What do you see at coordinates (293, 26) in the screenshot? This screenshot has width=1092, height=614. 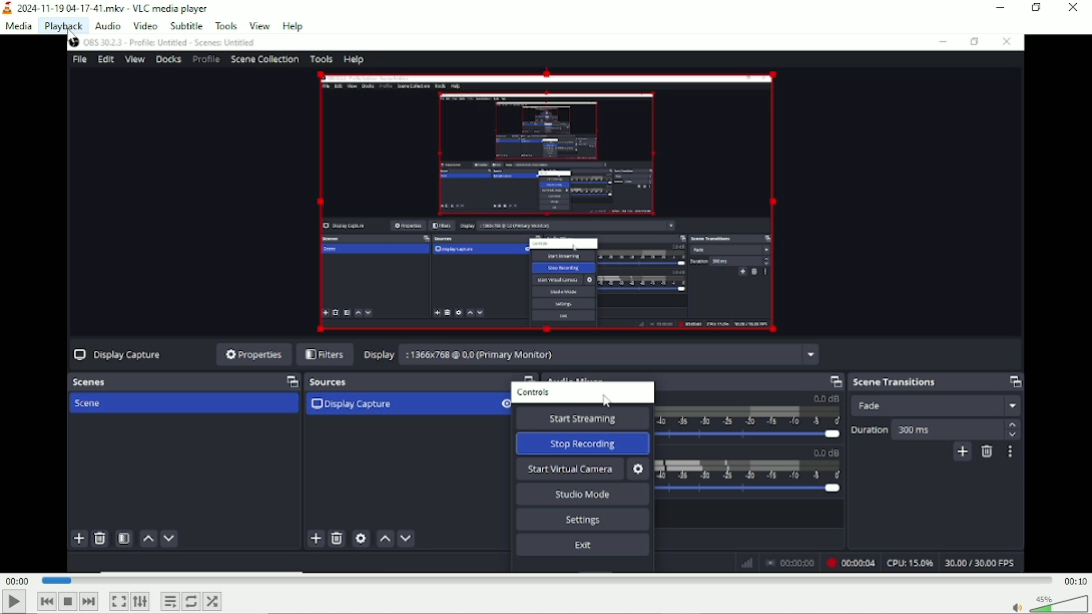 I see `Help` at bounding box center [293, 26].